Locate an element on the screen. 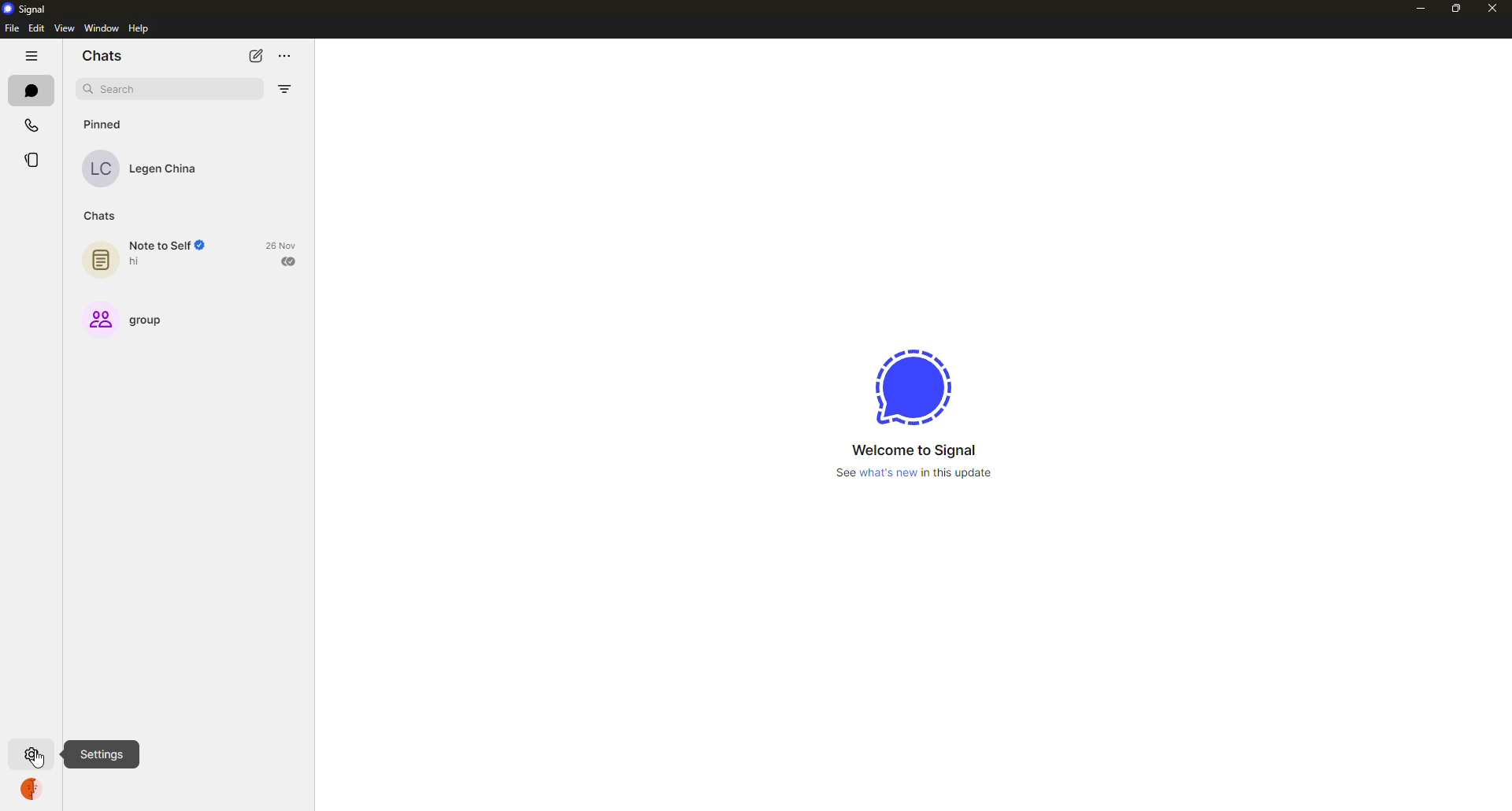 Image resolution: width=1512 pixels, height=811 pixels. note to self is located at coordinates (167, 246).